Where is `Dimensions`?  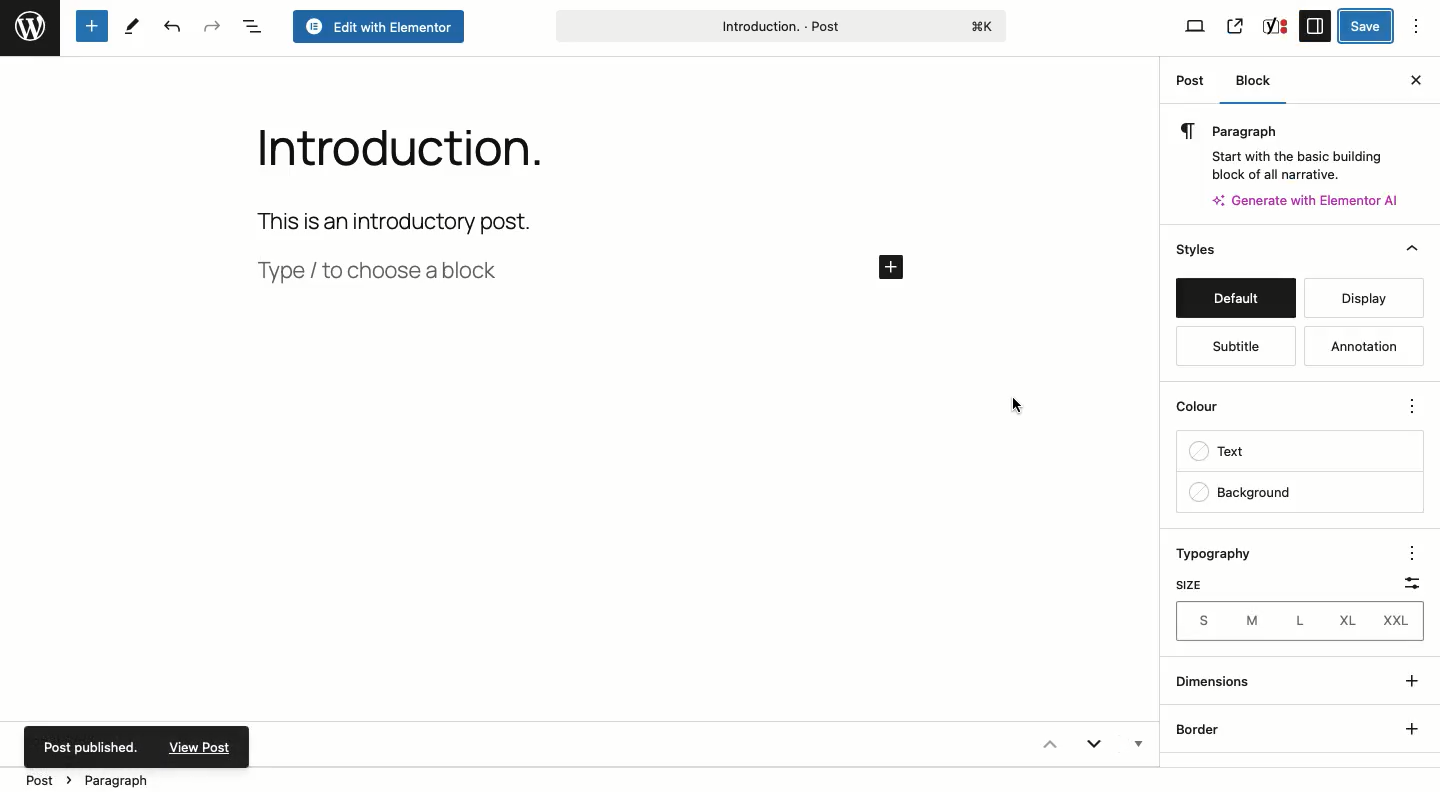 Dimensions is located at coordinates (1218, 681).